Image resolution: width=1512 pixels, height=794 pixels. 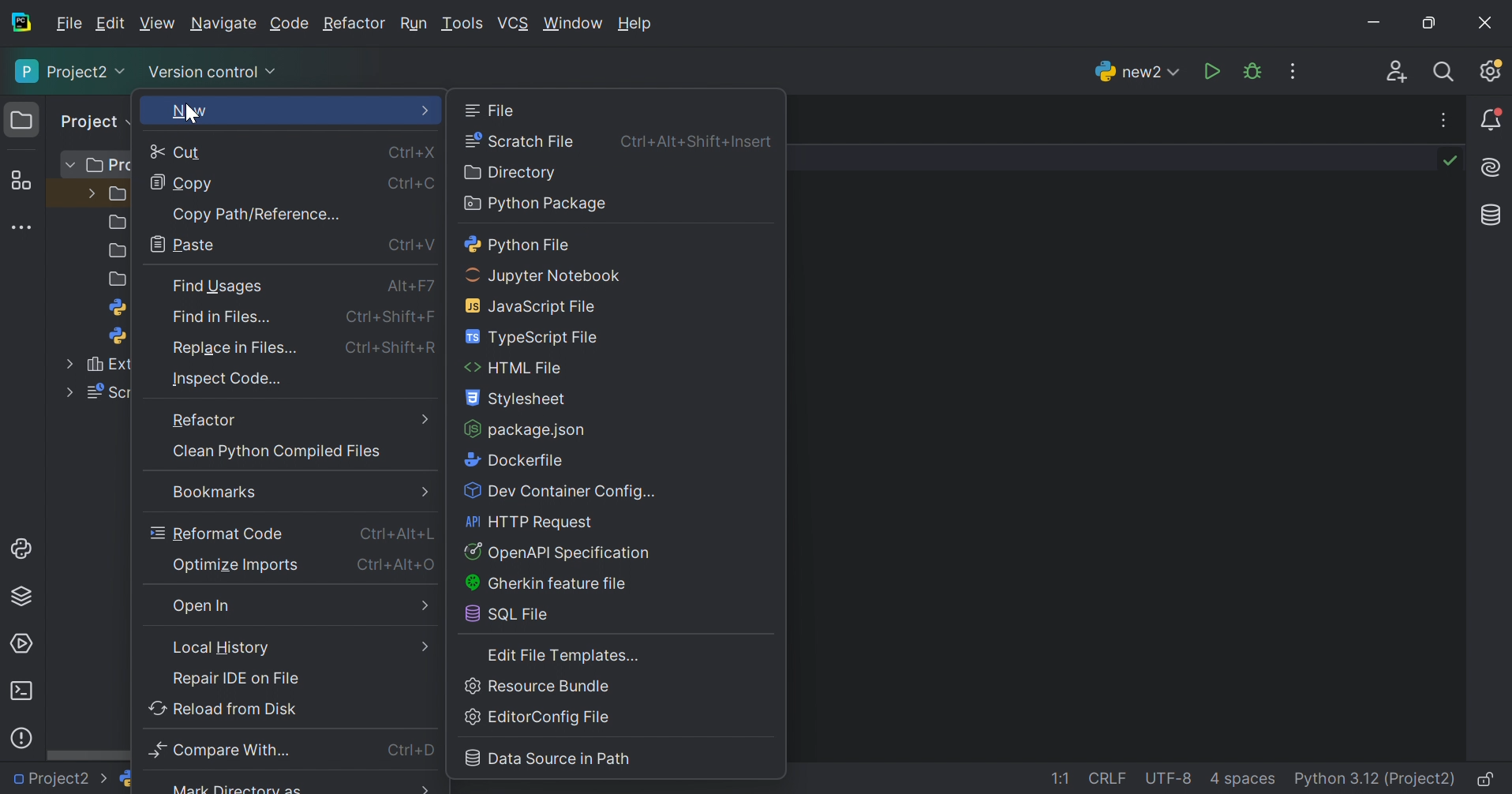 What do you see at coordinates (217, 533) in the screenshot?
I see `Reformat code` at bounding box center [217, 533].